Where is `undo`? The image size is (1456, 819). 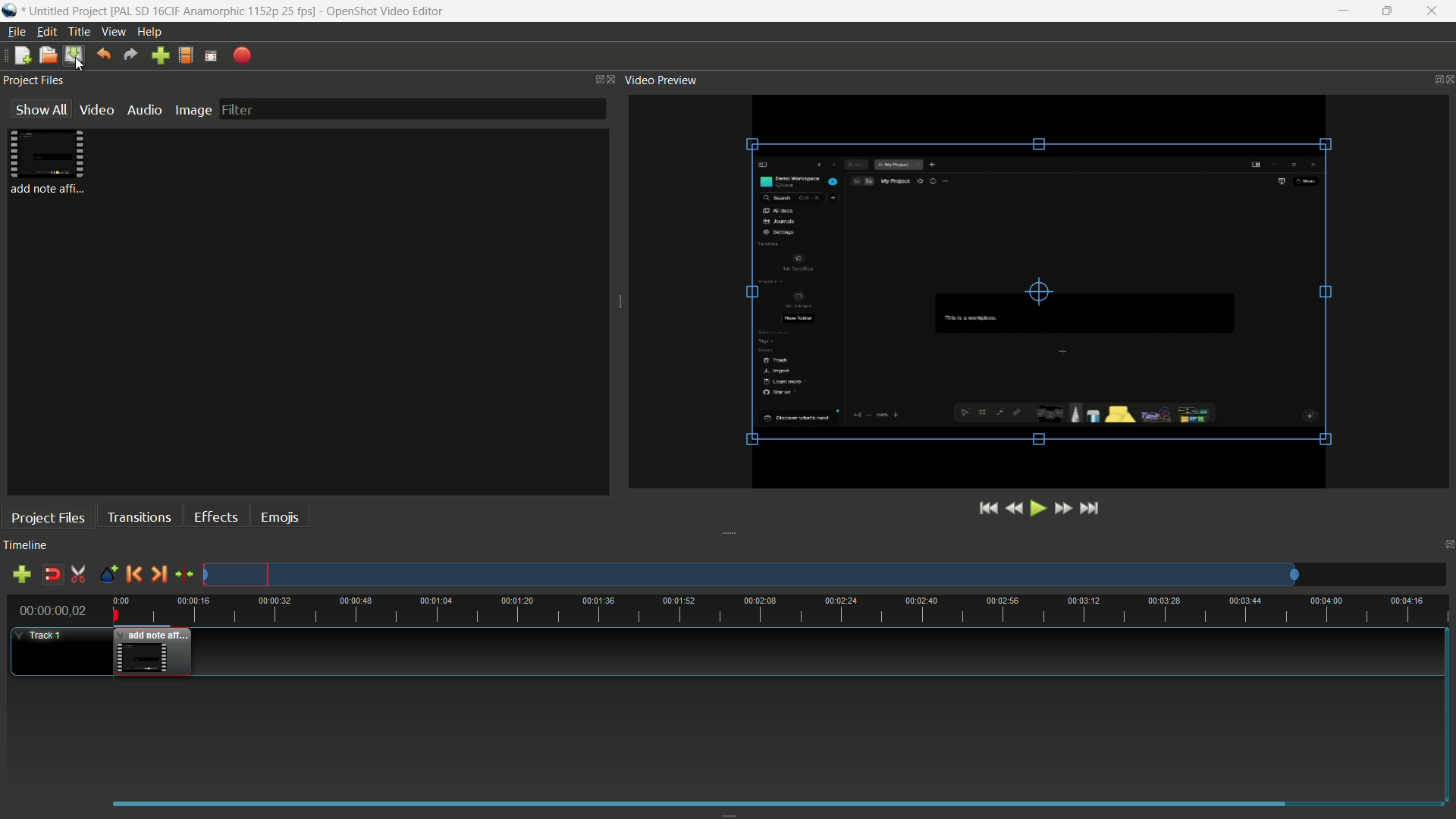
undo is located at coordinates (104, 55).